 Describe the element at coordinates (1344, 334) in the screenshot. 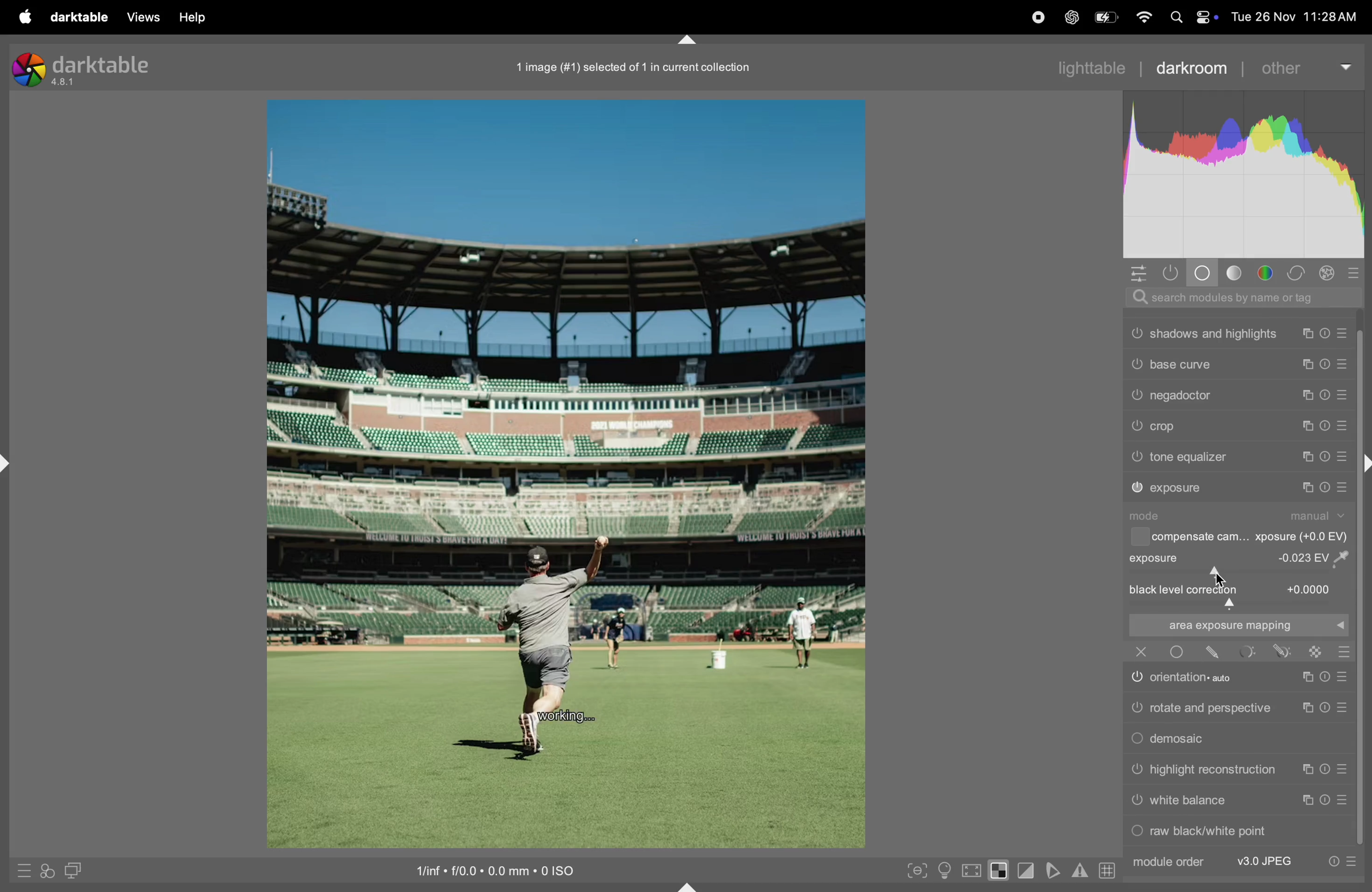

I see `Presets ` at that location.